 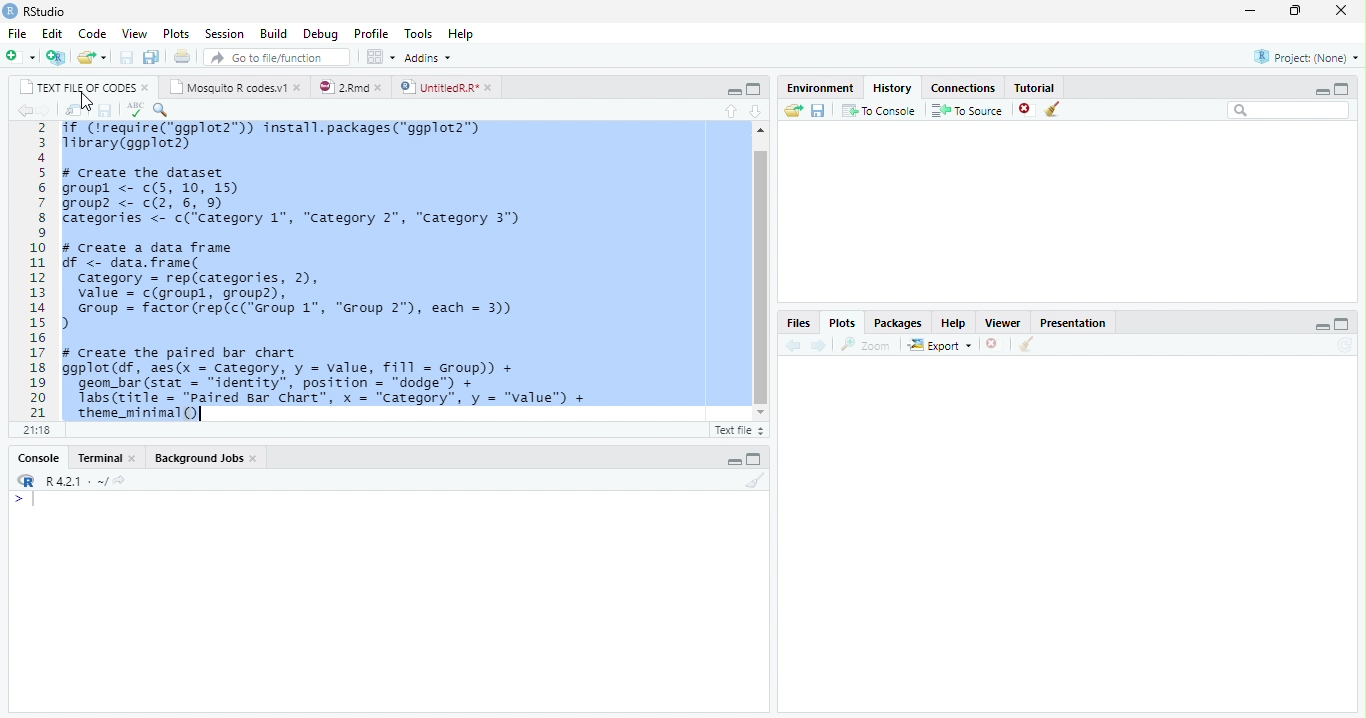 I want to click on close, so click(x=489, y=88).